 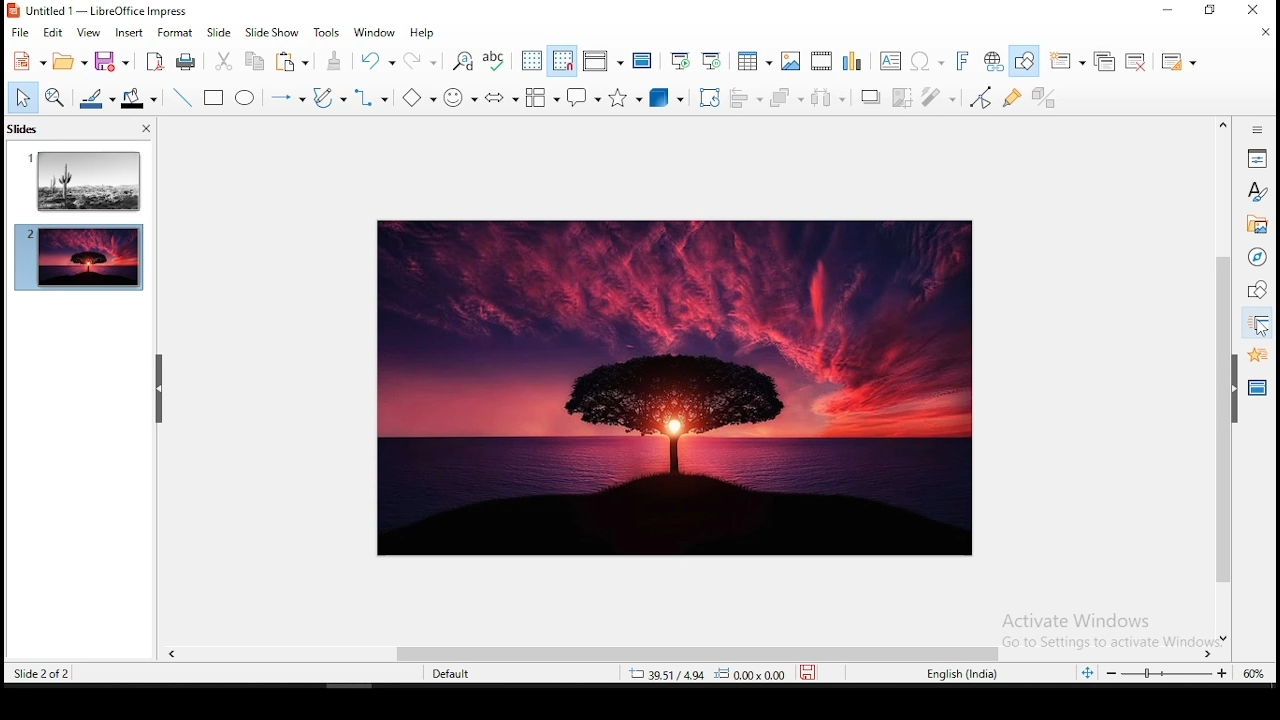 What do you see at coordinates (713, 58) in the screenshot?
I see `start from current slide` at bounding box center [713, 58].